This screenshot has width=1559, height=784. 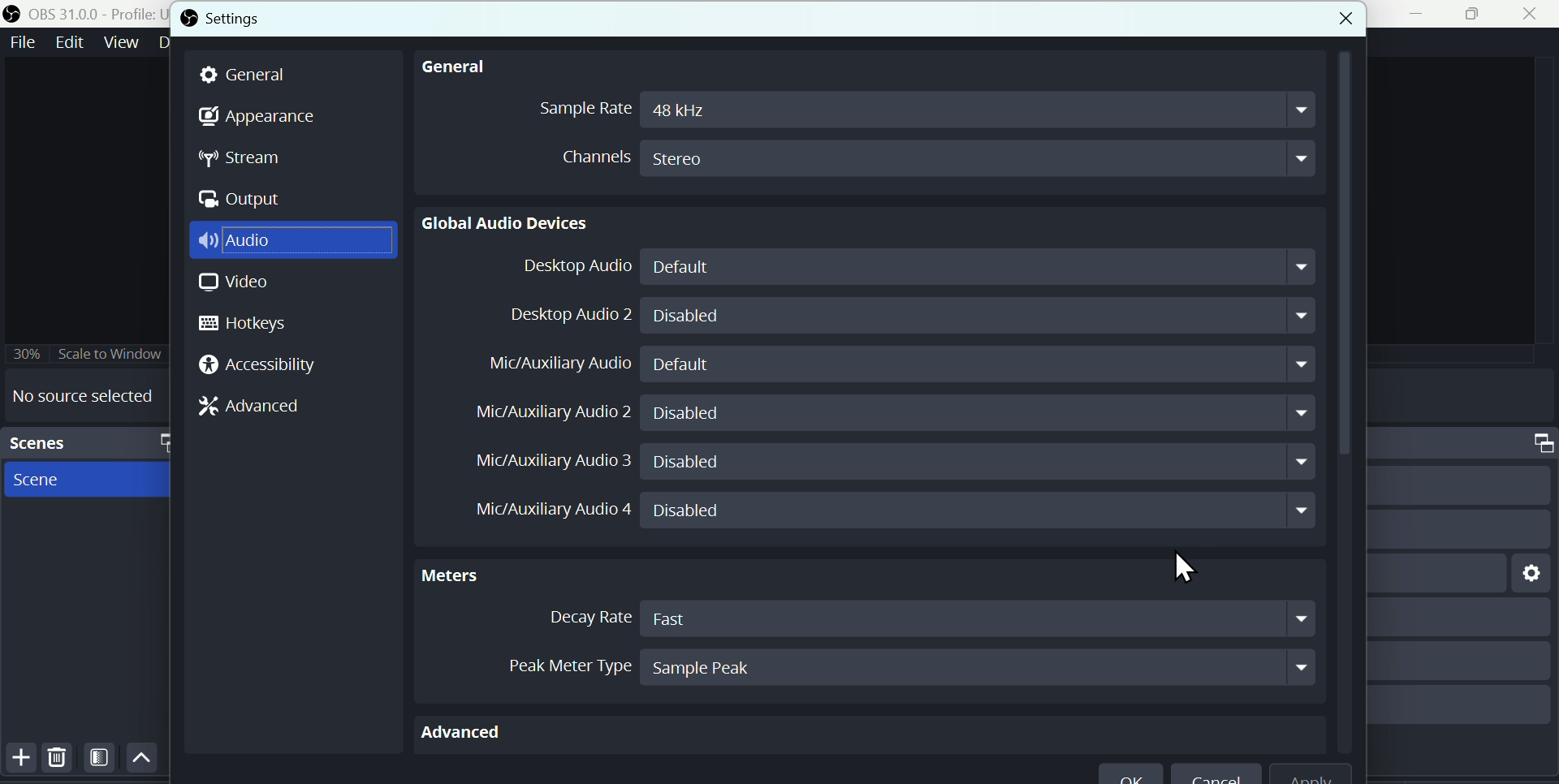 I want to click on Appearance, so click(x=259, y=118).